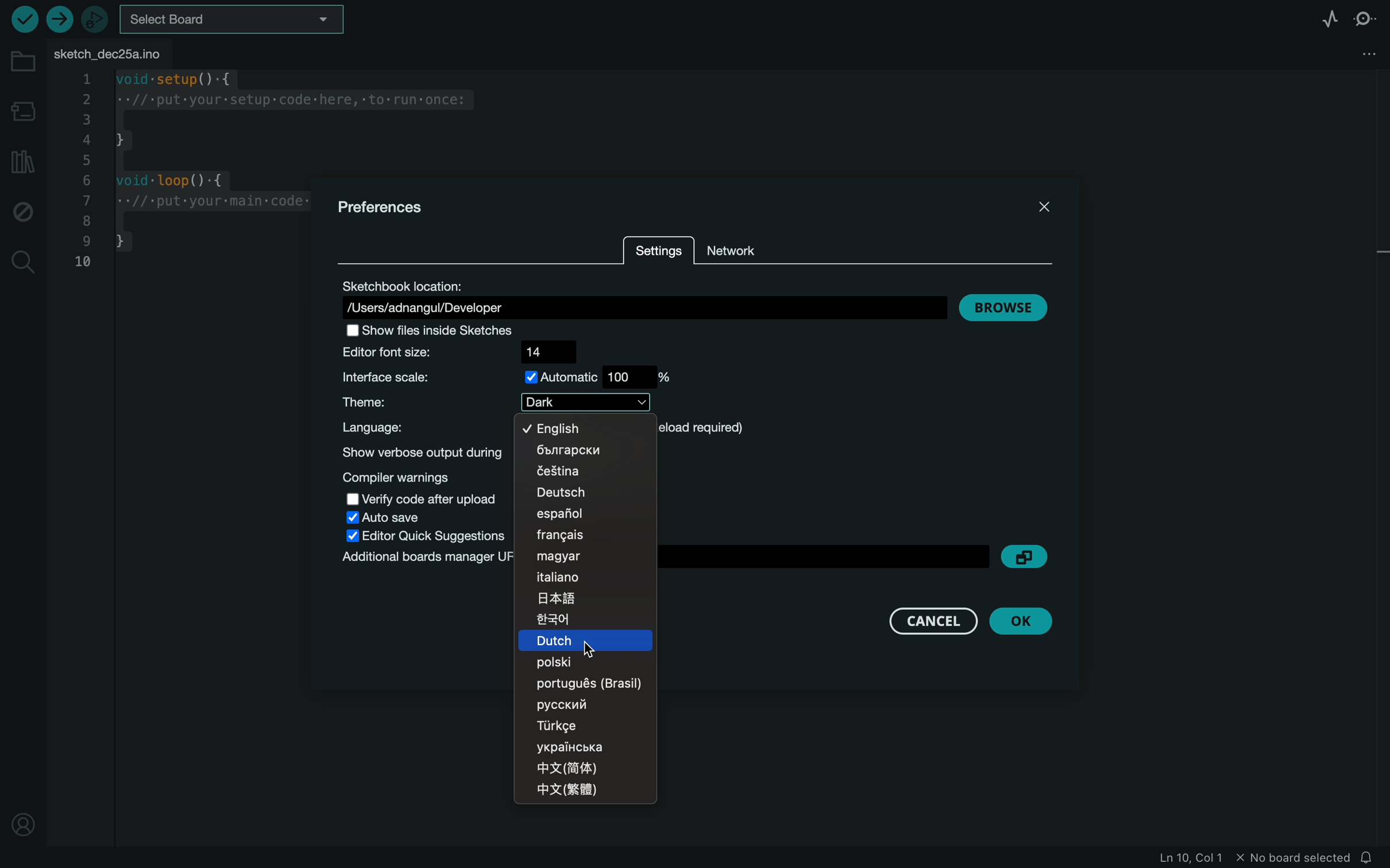 The height and width of the screenshot is (868, 1390). Describe the element at coordinates (930, 622) in the screenshot. I see `cancel` at that location.